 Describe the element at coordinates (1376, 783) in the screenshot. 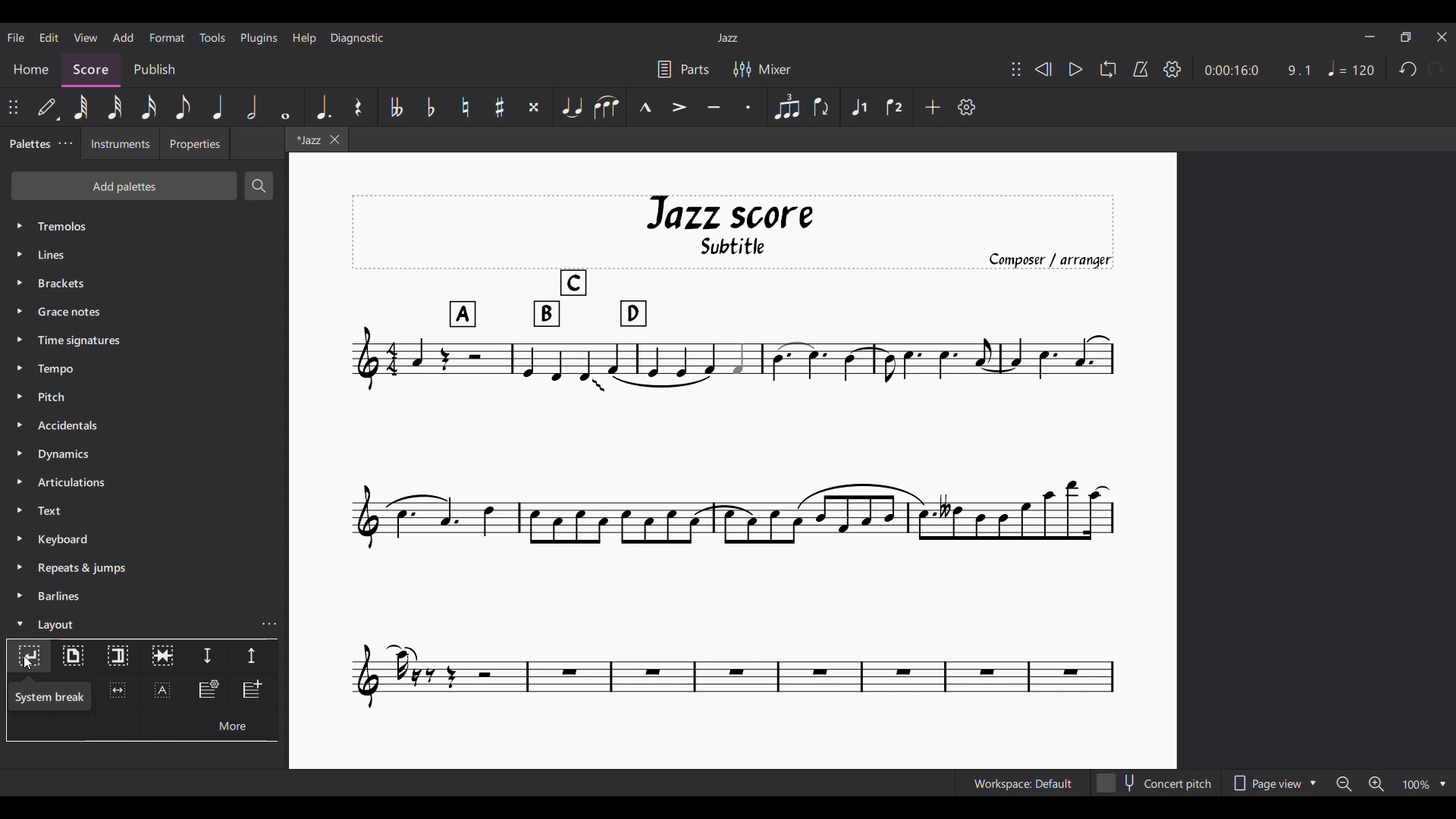

I see `Zoom in` at that location.